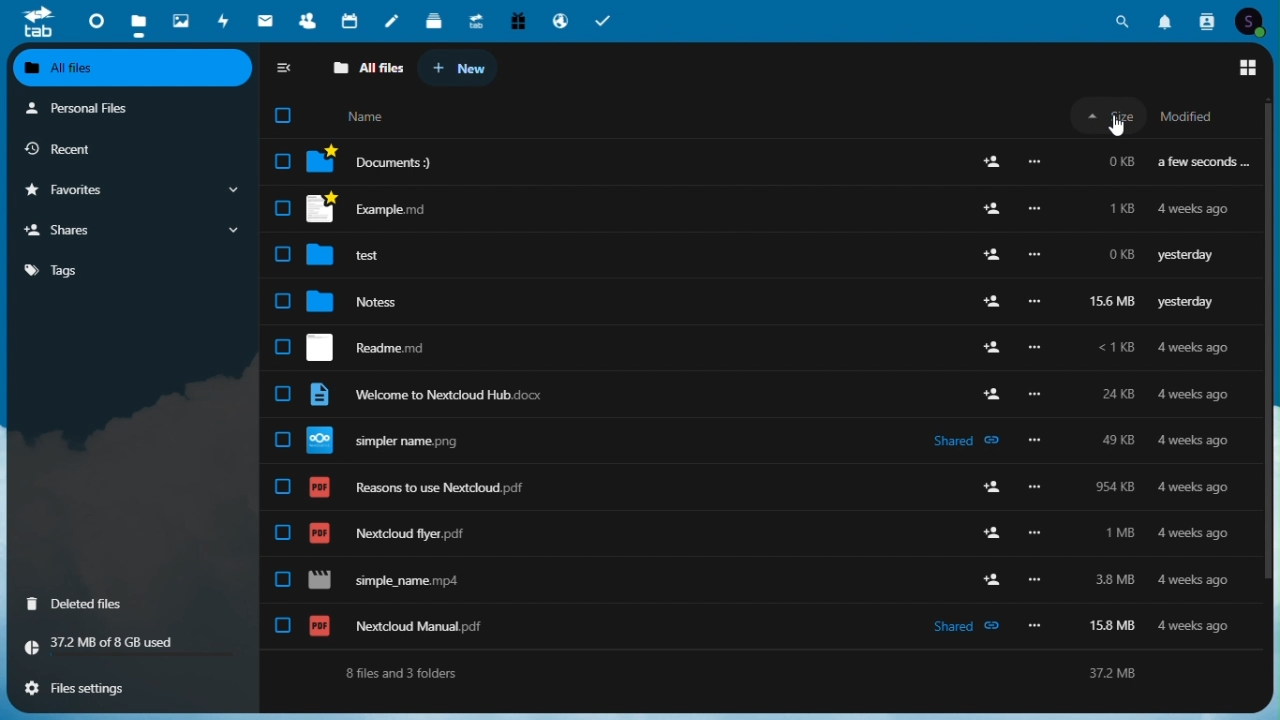 Image resolution: width=1280 pixels, height=720 pixels. What do you see at coordinates (751, 254) in the screenshot?
I see `test` at bounding box center [751, 254].